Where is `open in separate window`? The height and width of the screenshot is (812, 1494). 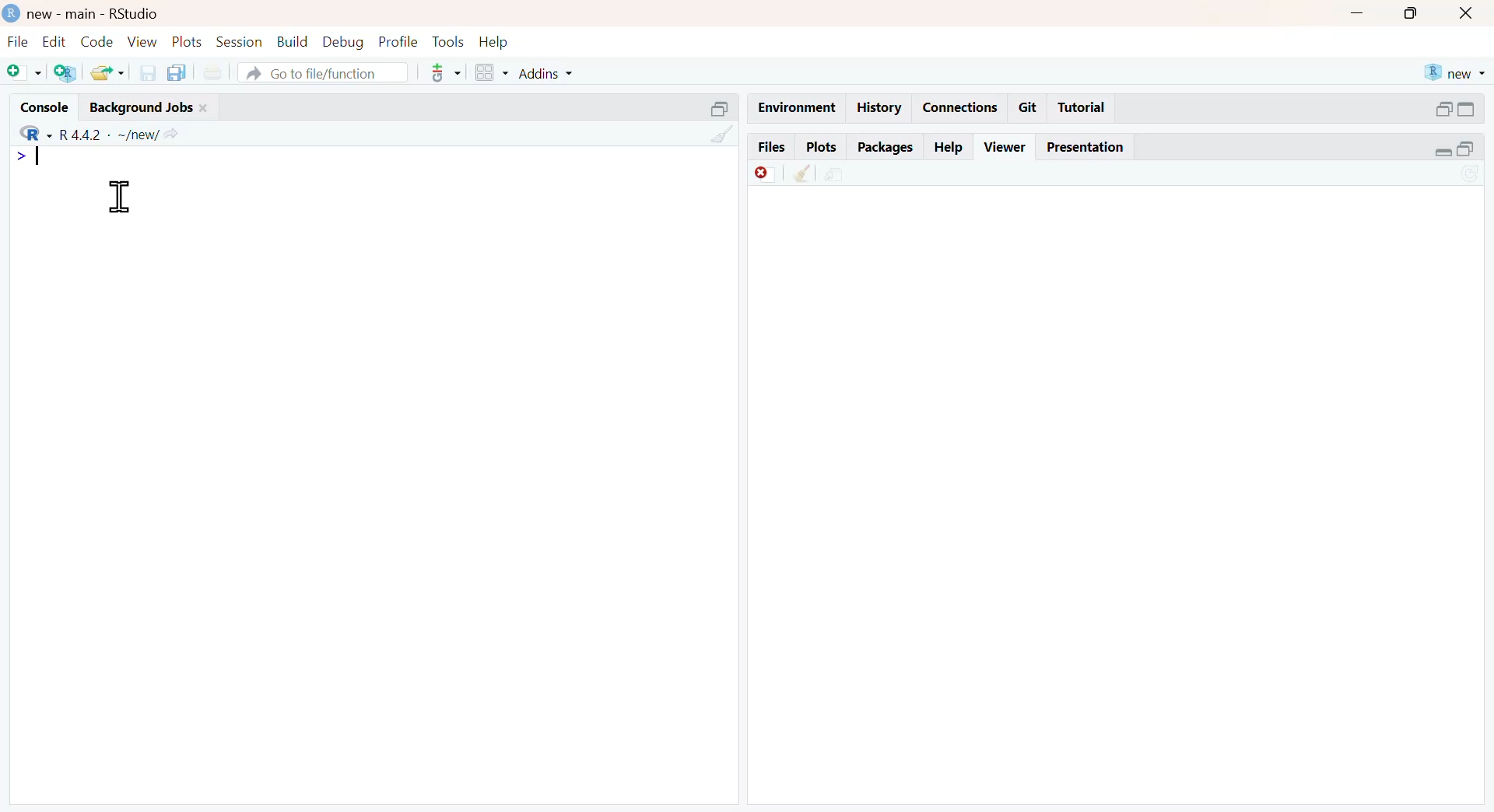 open in separate window is located at coordinates (1444, 110).